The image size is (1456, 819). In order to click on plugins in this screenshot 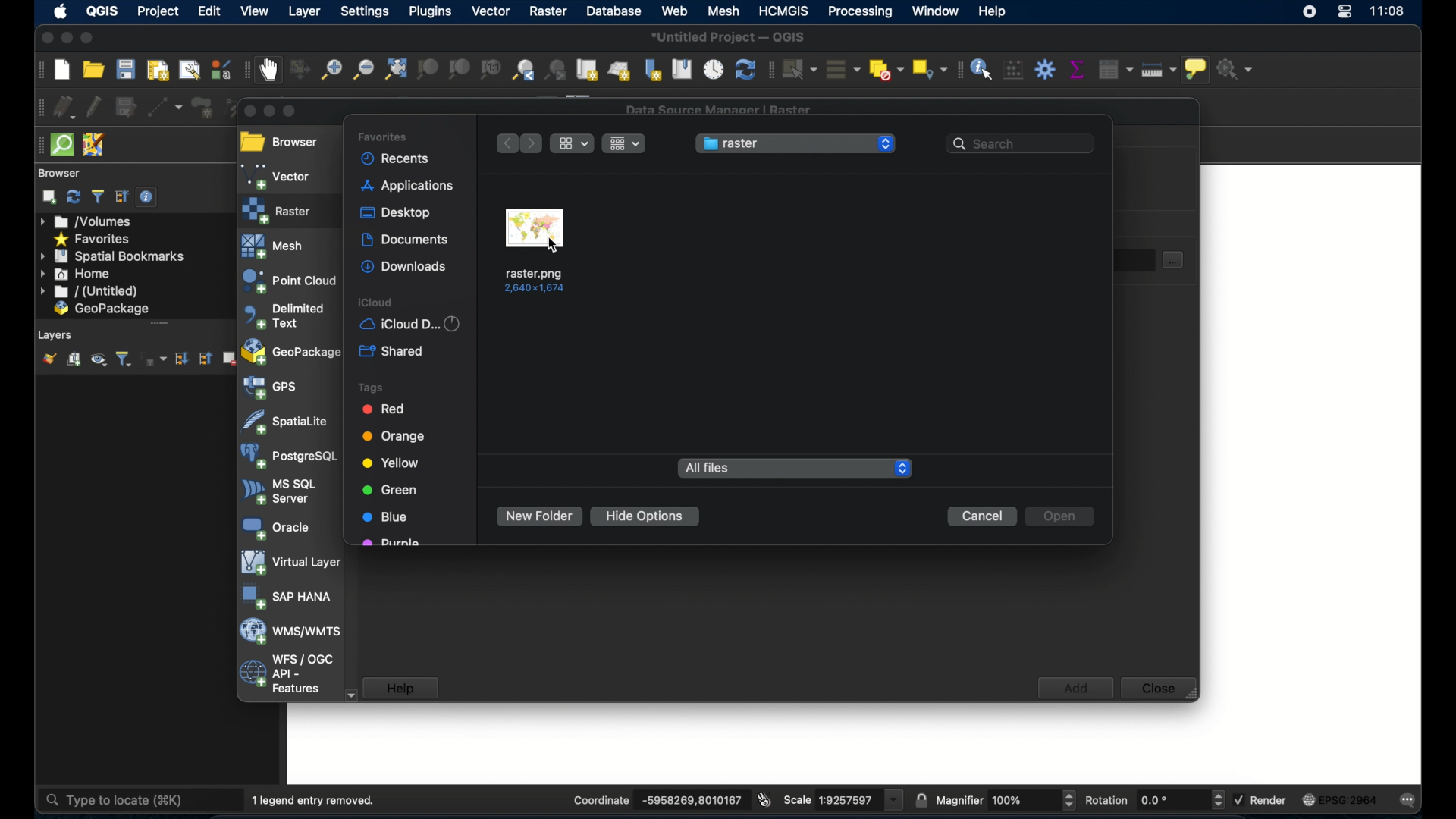, I will do `click(429, 12)`.